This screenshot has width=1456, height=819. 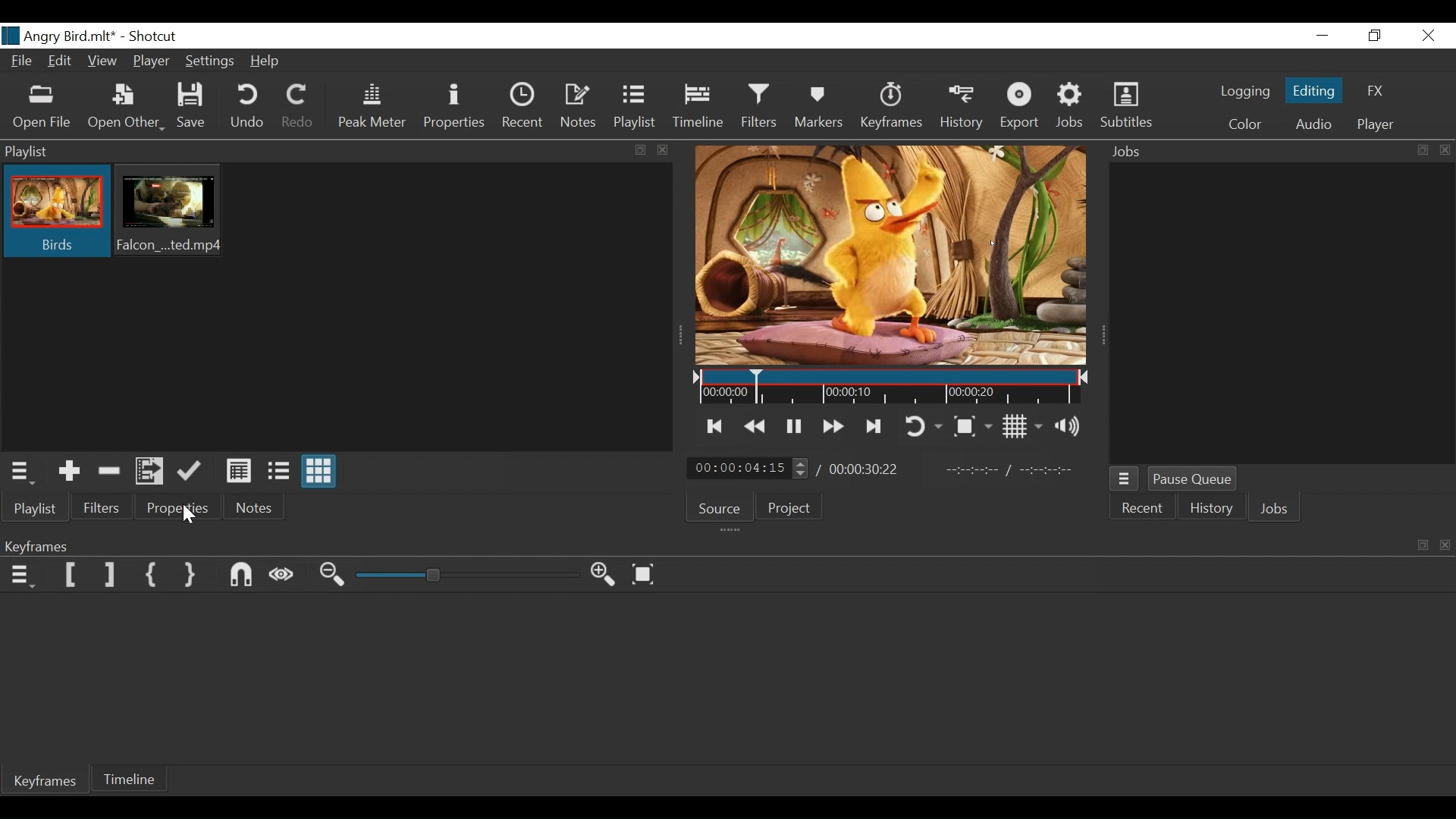 What do you see at coordinates (127, 108) in the screenshot?
I see `Open Other` at bounding box center [127, 108].